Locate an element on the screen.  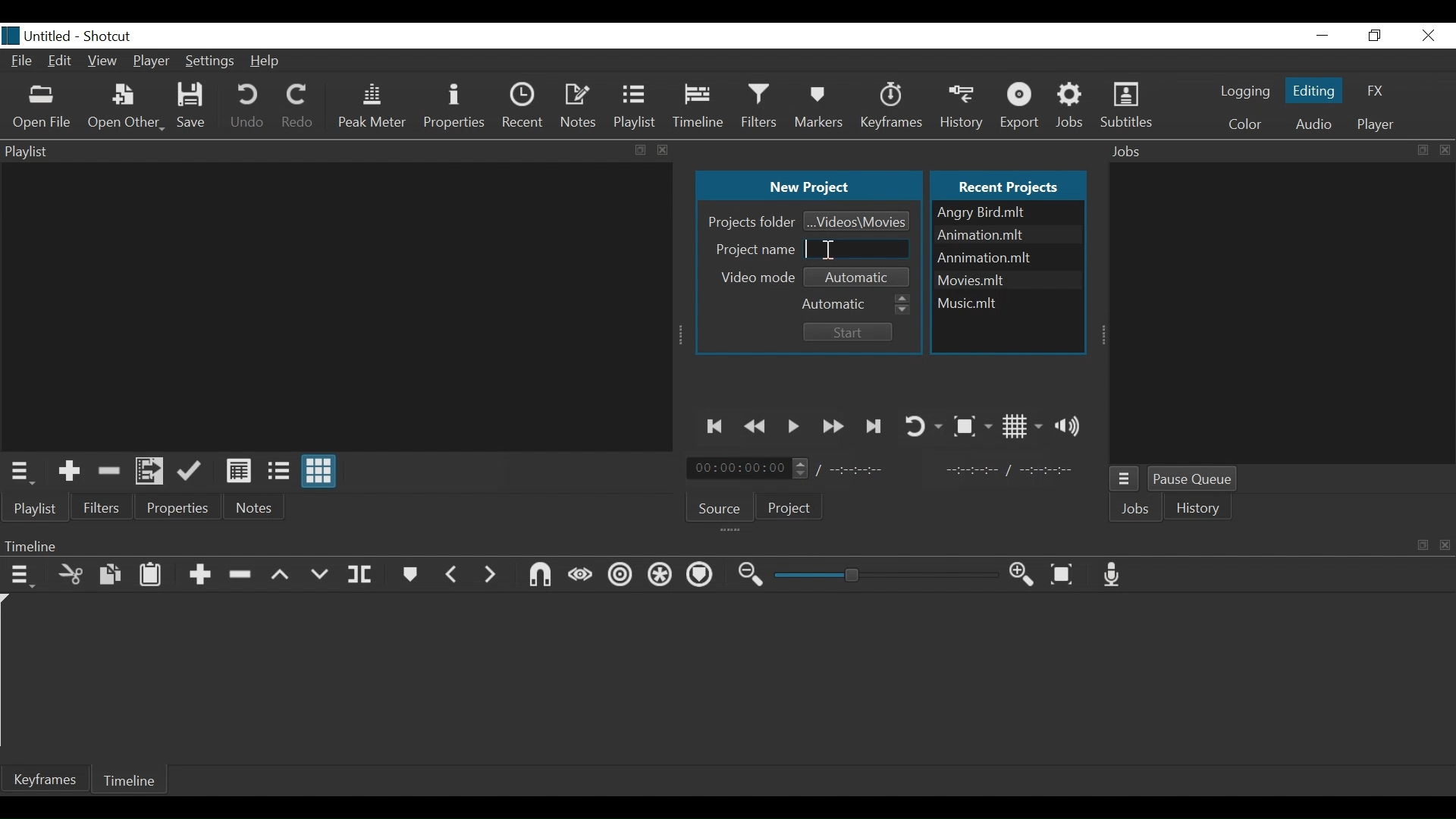
Append is located at coordinates (199, 576).